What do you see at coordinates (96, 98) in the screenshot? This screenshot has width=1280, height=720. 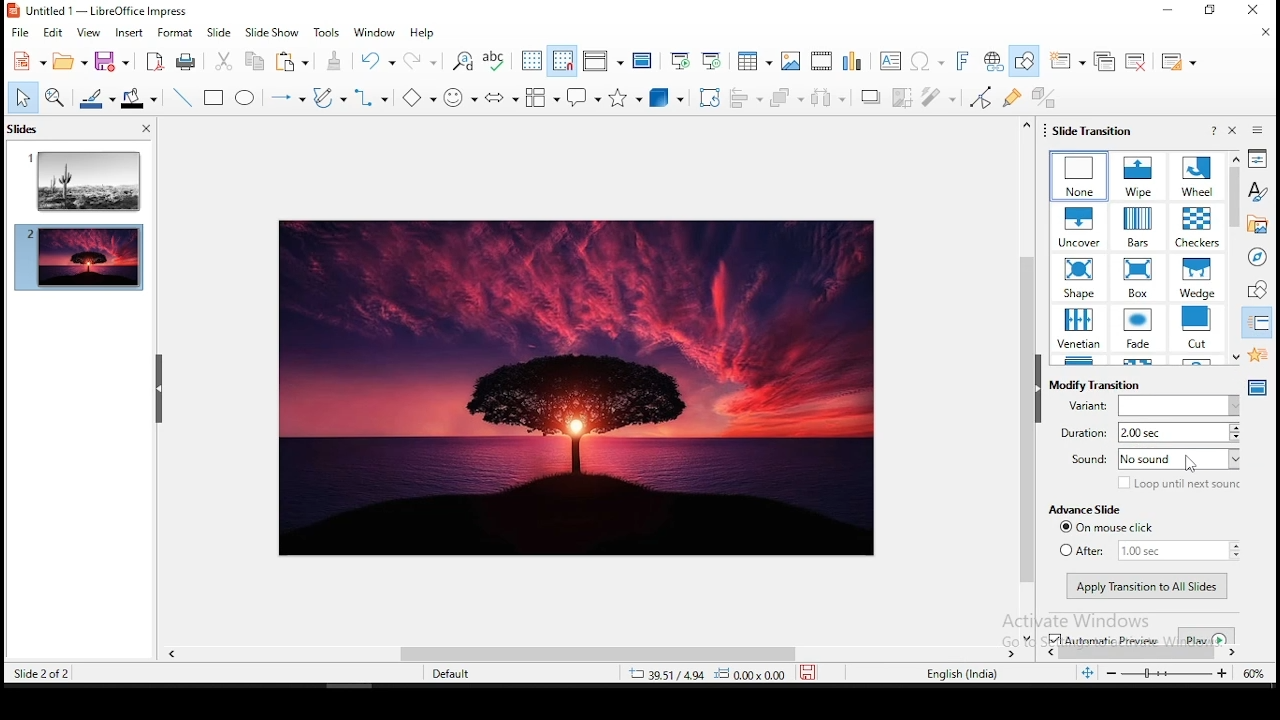 I see `line color` at bounding box center [96, 98].